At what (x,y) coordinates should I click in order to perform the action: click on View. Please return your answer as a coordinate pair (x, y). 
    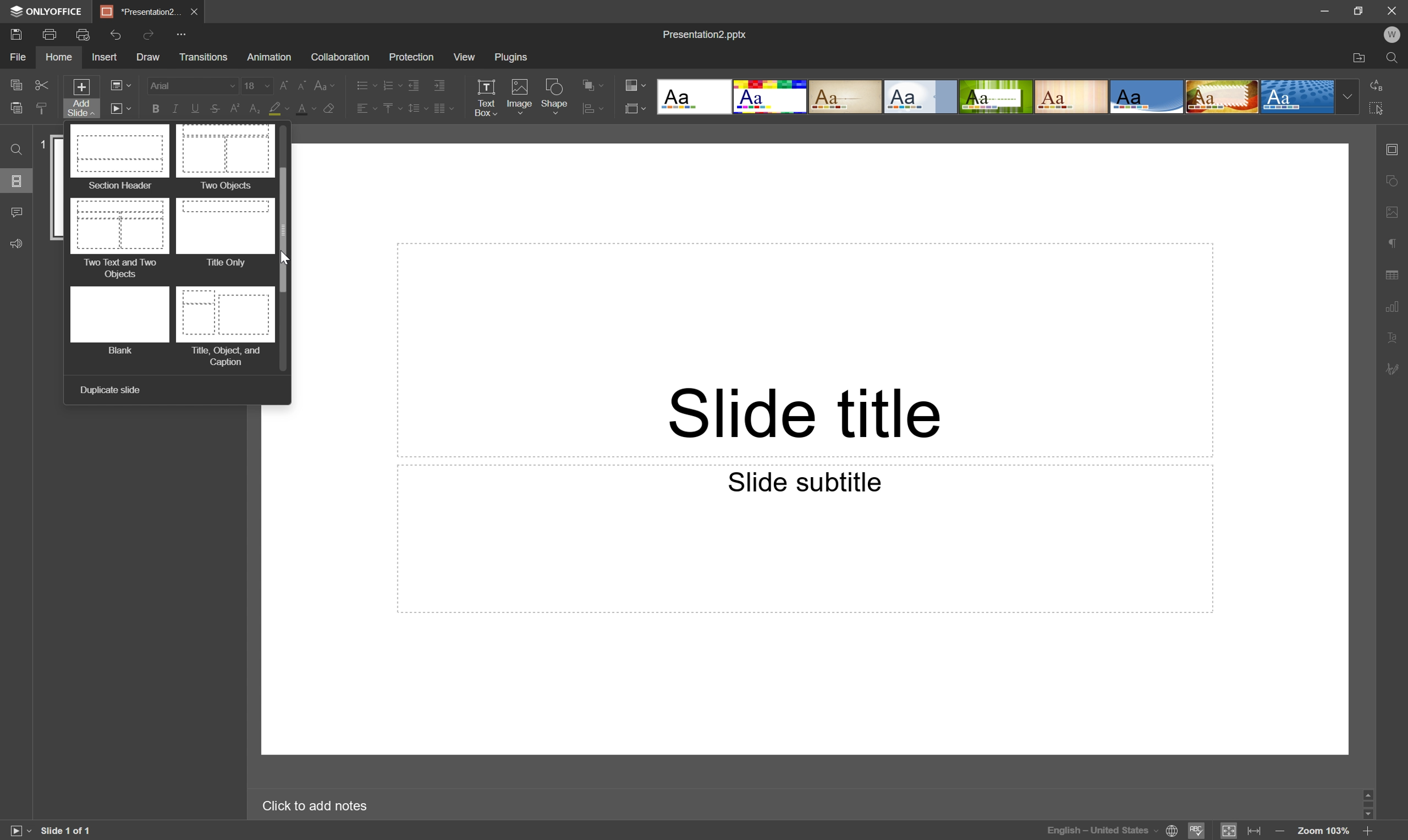
    Looking at the image, I should click on (464, 57).